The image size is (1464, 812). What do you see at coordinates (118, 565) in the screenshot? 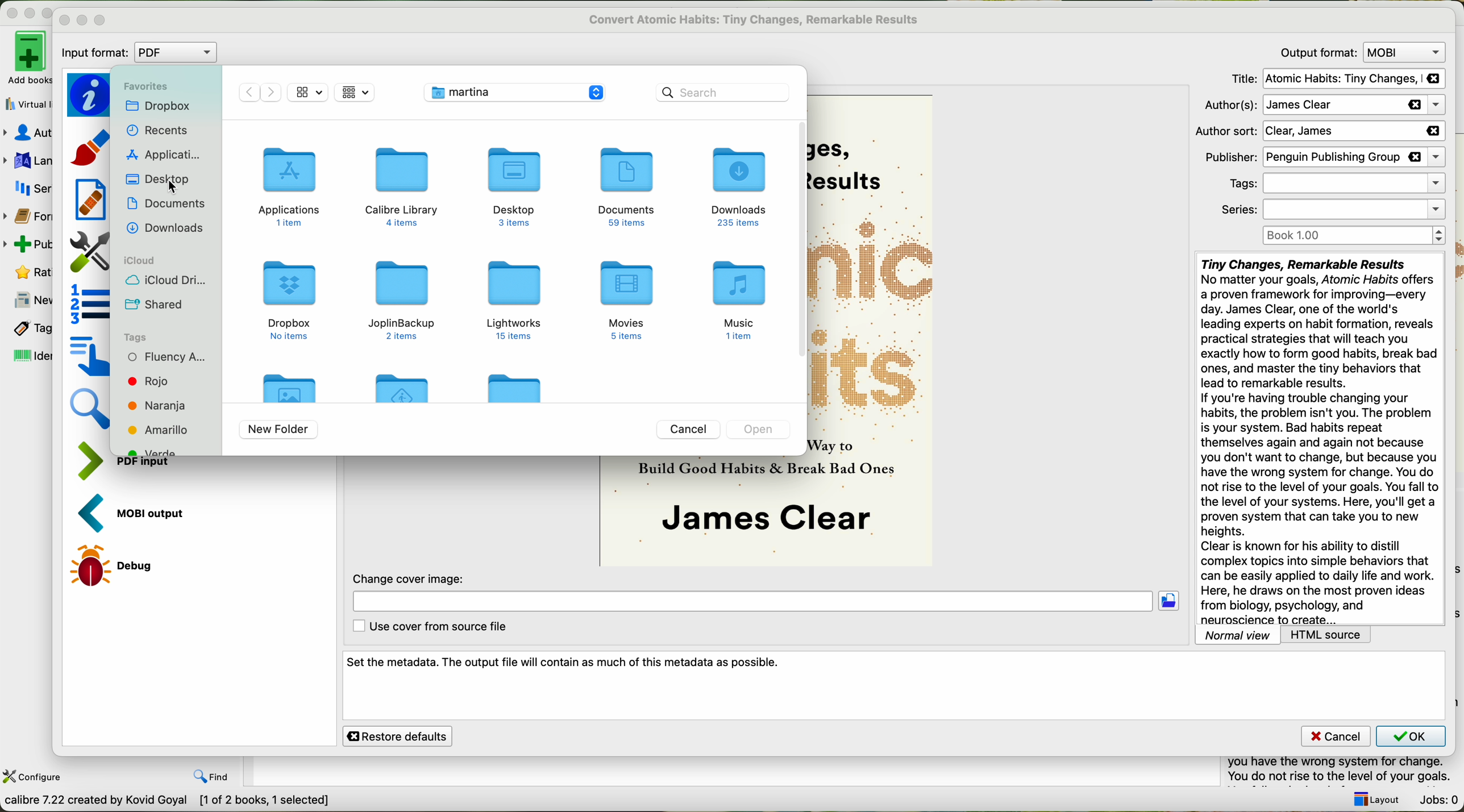
I see `debug` at bounding box center [118, 565].